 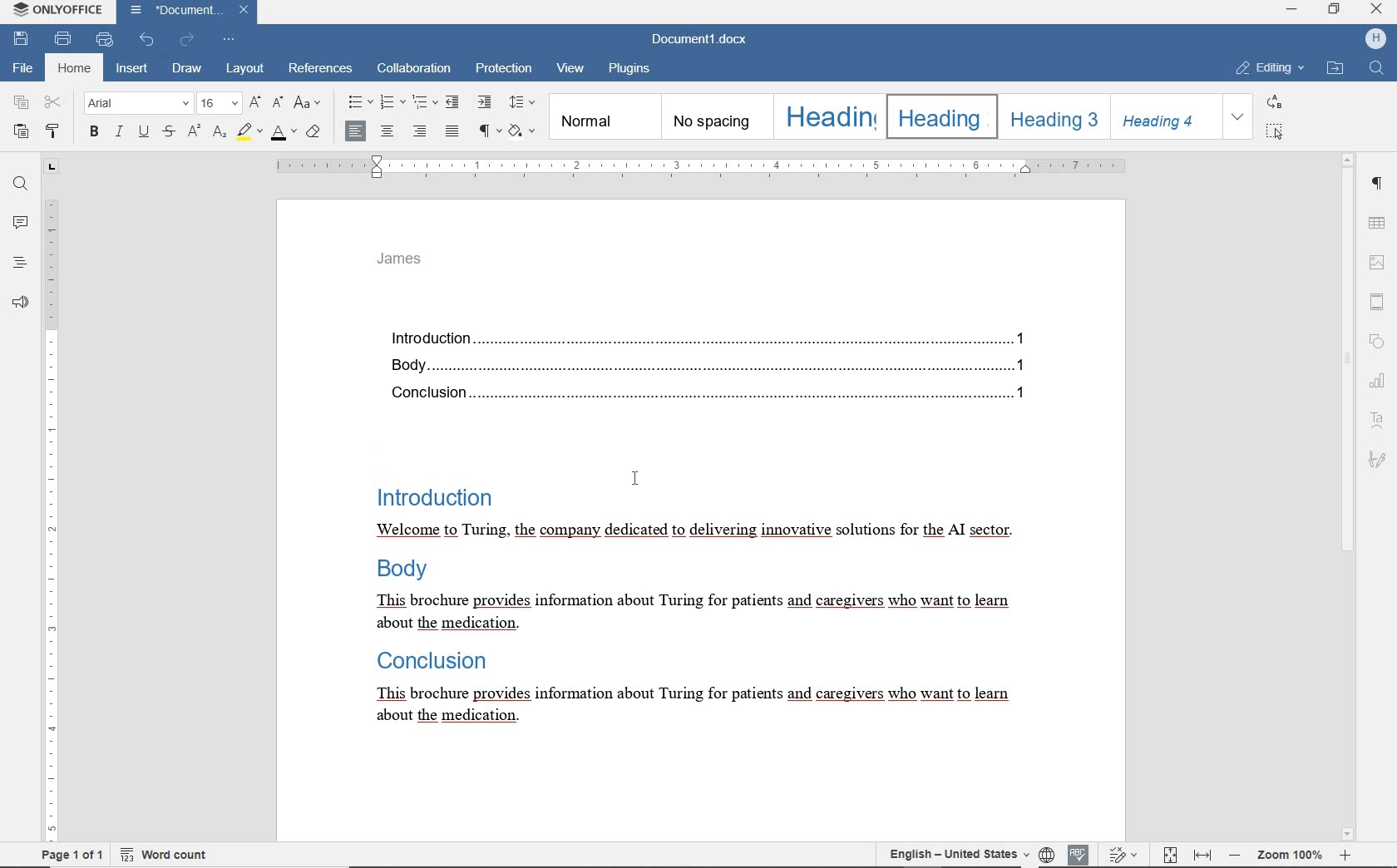 I want to click on save, so click(x=20, y=39).